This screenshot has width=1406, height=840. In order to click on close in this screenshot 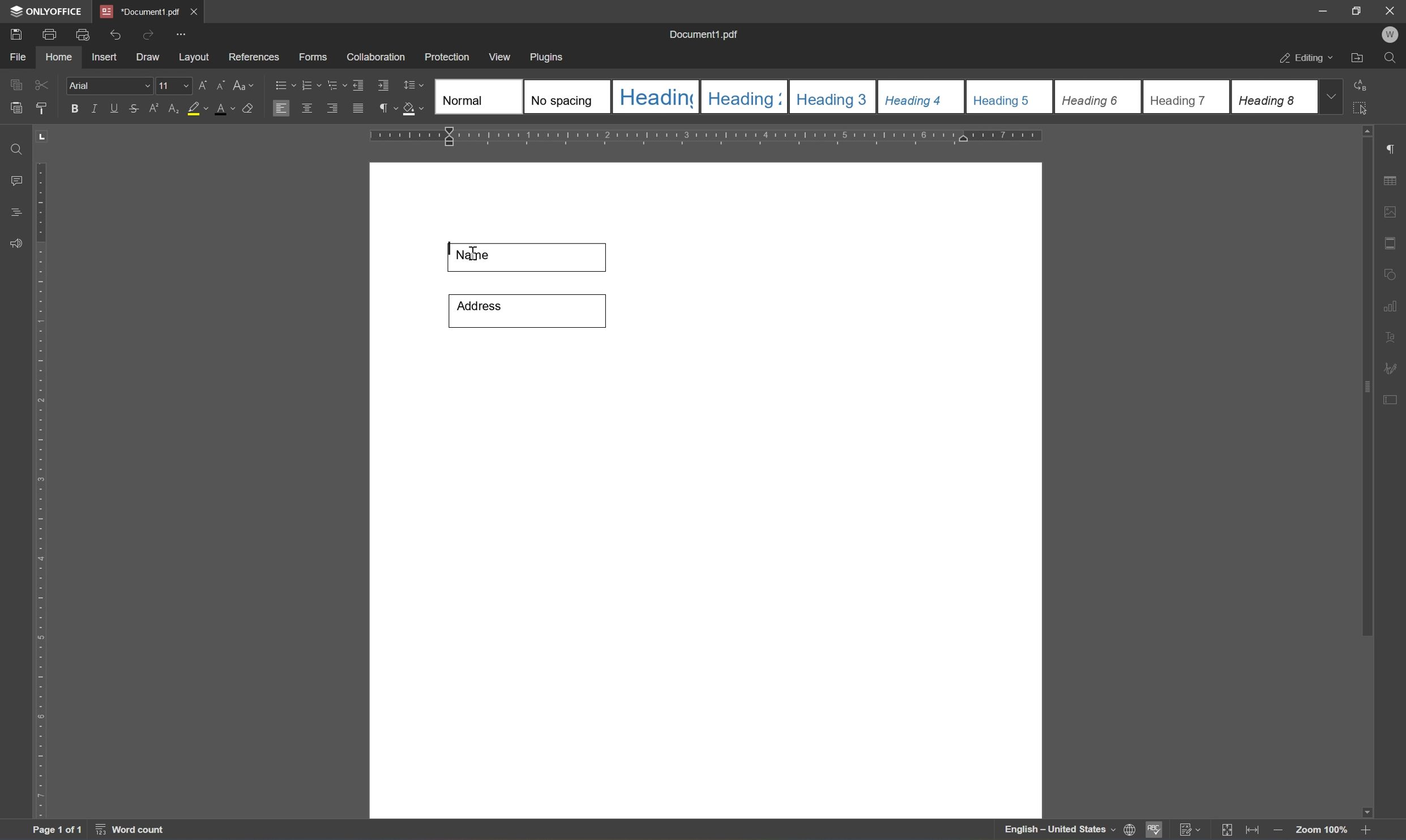, I will do `click(1391, 11)`.